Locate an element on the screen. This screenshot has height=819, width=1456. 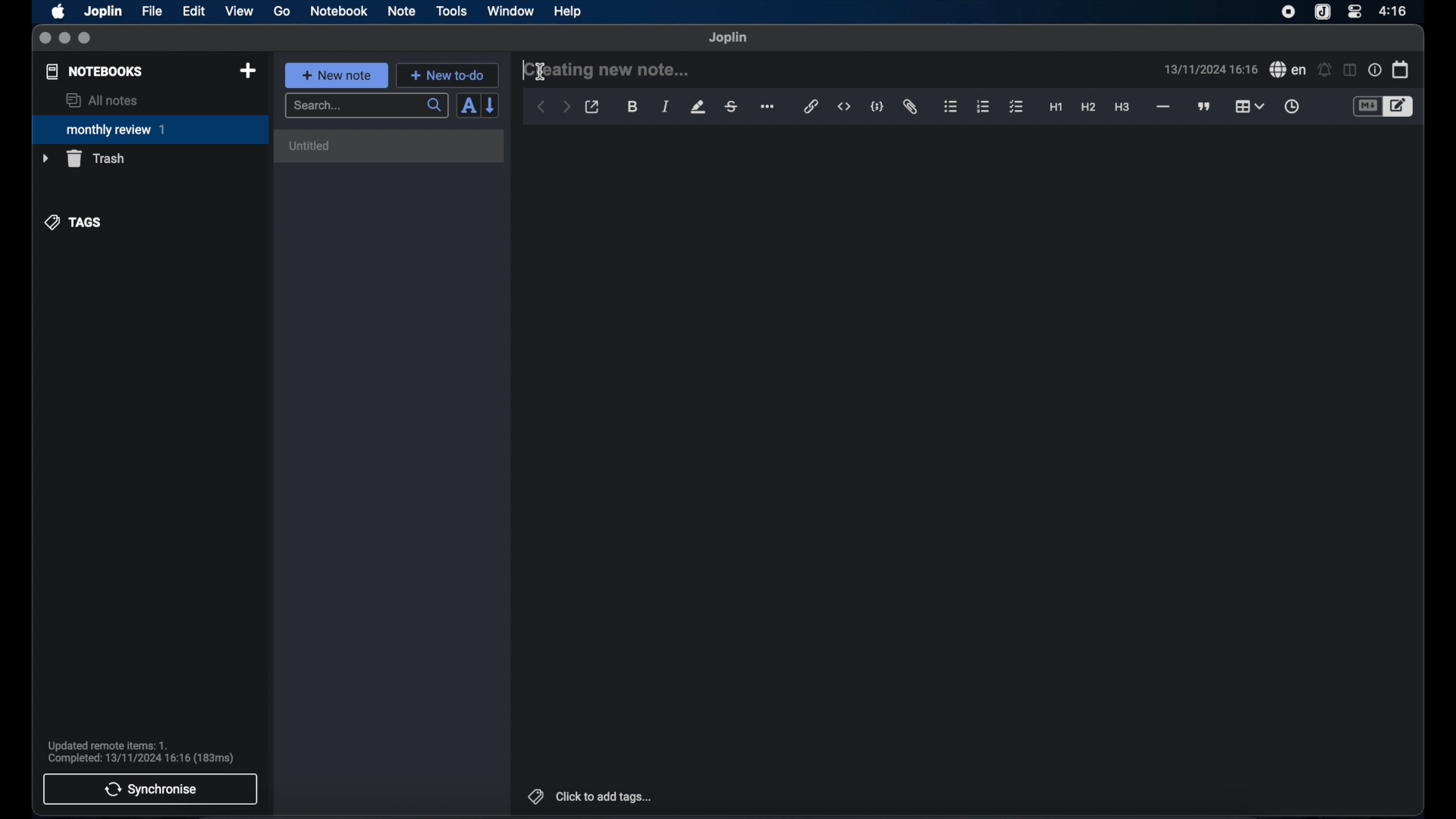
Joplin is located at coordinates (105, 12).